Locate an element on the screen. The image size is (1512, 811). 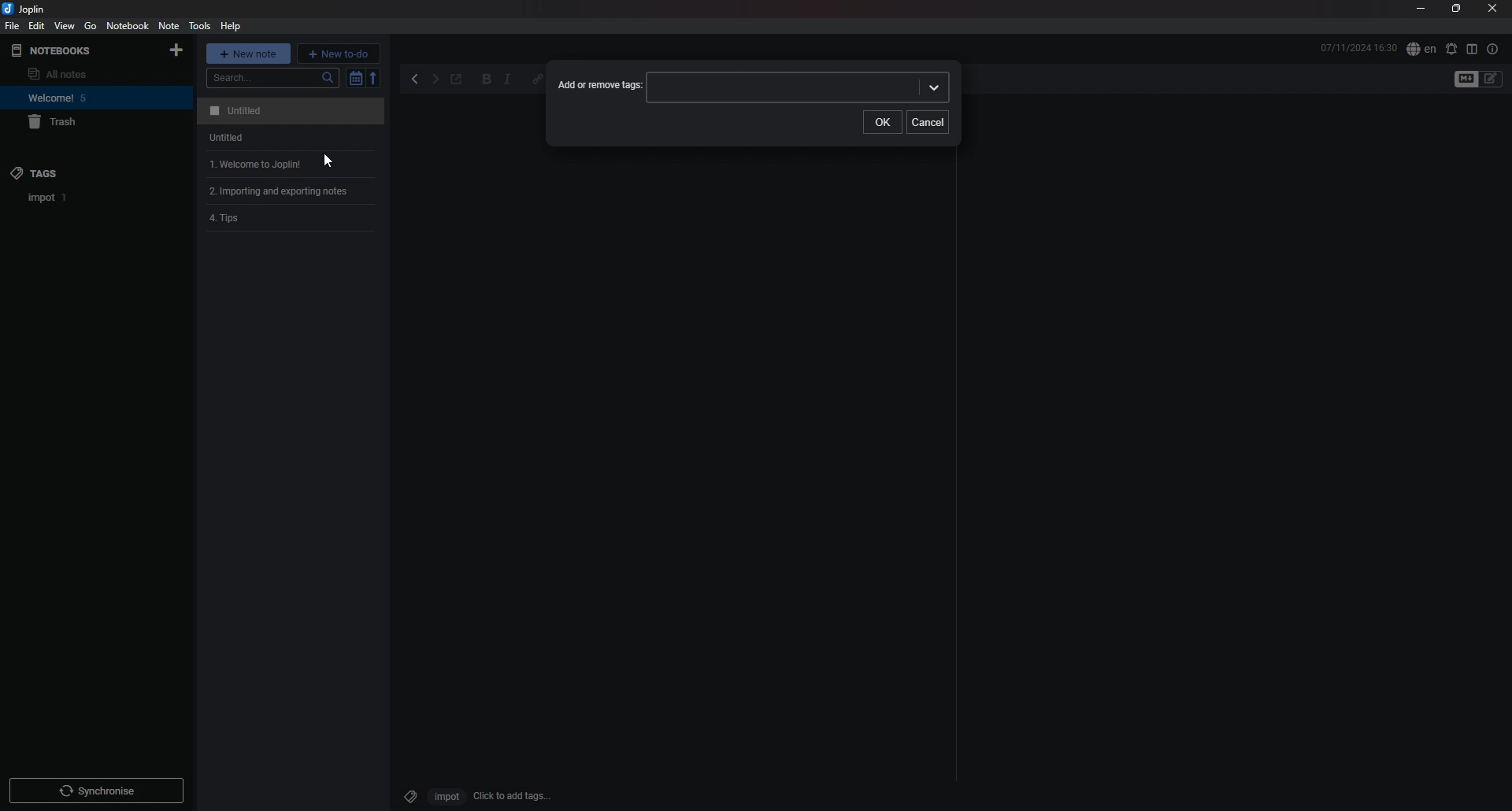
notebook is located at coordinates (128, 26).